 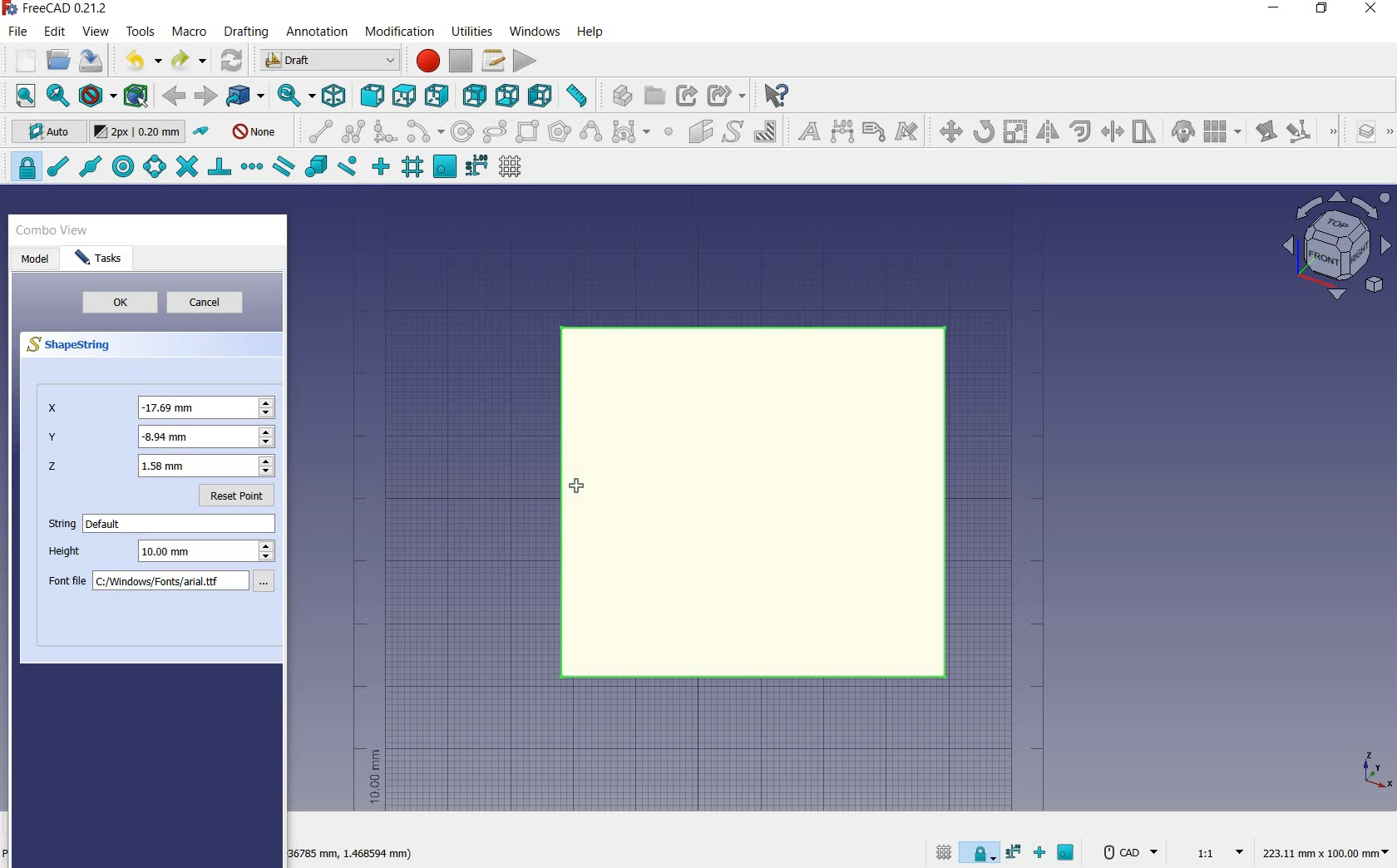 What do you see at coordinates (353, 856) in the screenshot?
I see `dimension` at bounding box center [353, 856].